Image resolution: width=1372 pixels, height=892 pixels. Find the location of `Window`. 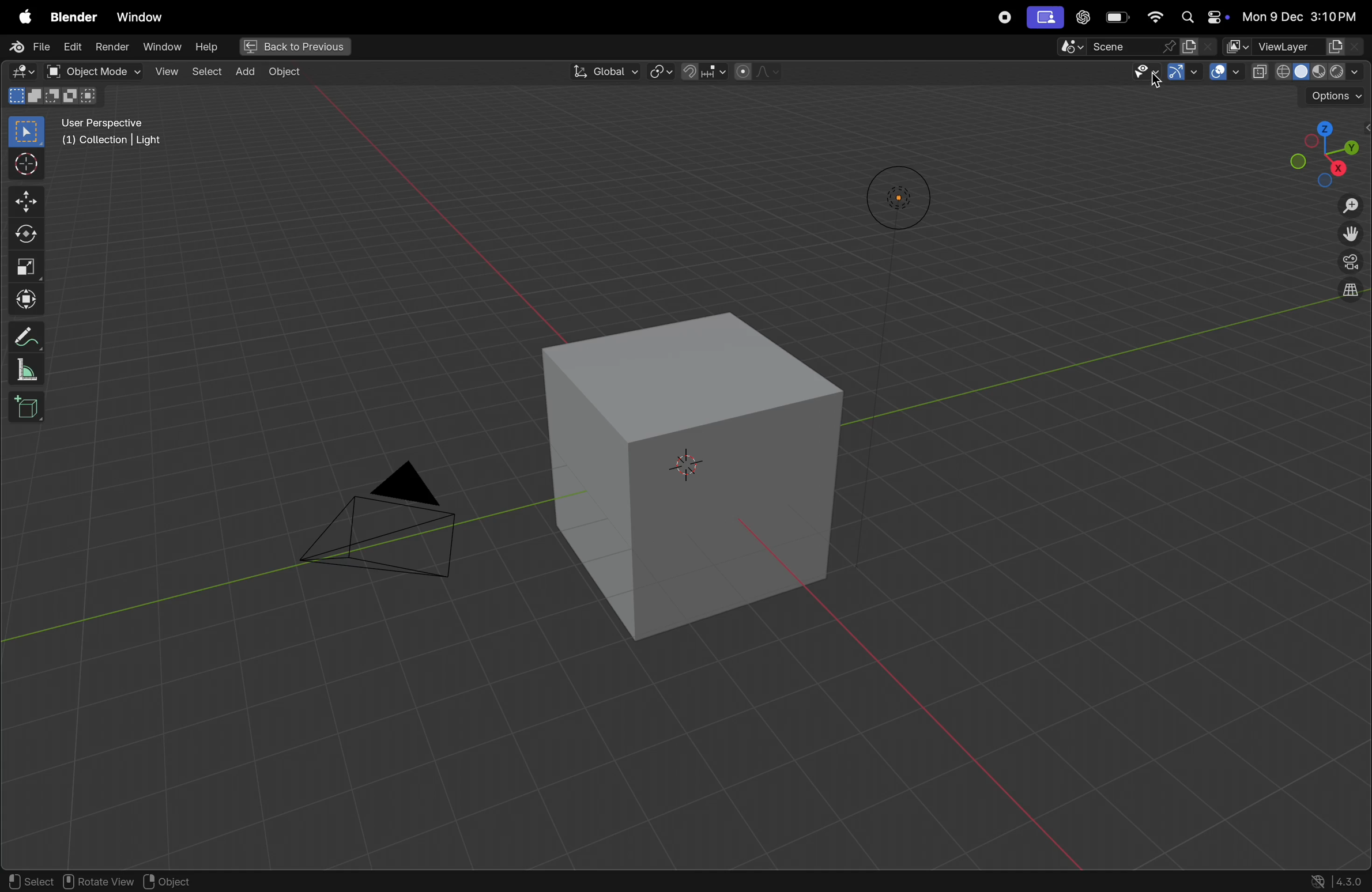

Window is located at coordinates (144, 18).